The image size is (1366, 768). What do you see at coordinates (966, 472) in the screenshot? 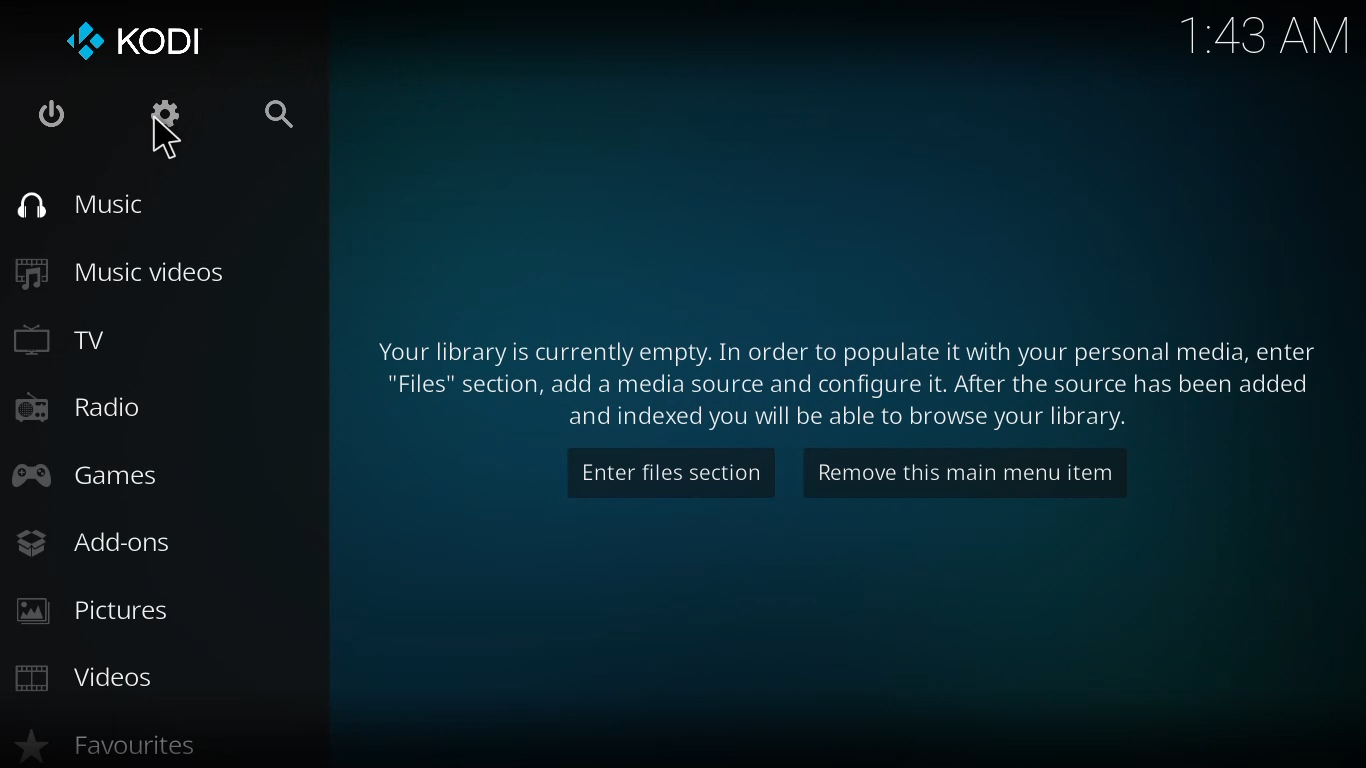
I see `remove this main menu item` at bounding box center [966, 472].